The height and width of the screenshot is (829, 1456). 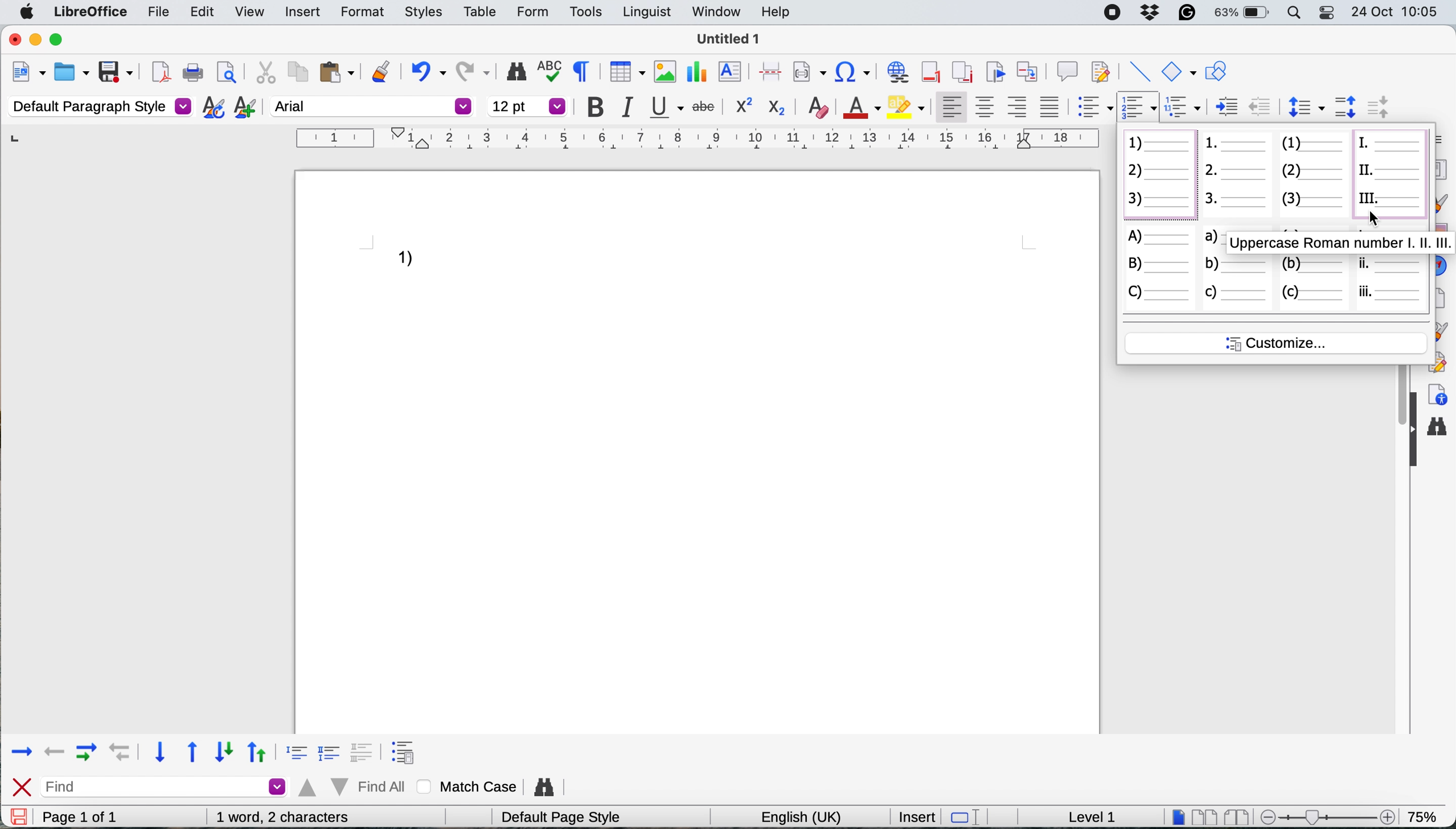 I want to click on insert special character, so click(x=854, y=72).